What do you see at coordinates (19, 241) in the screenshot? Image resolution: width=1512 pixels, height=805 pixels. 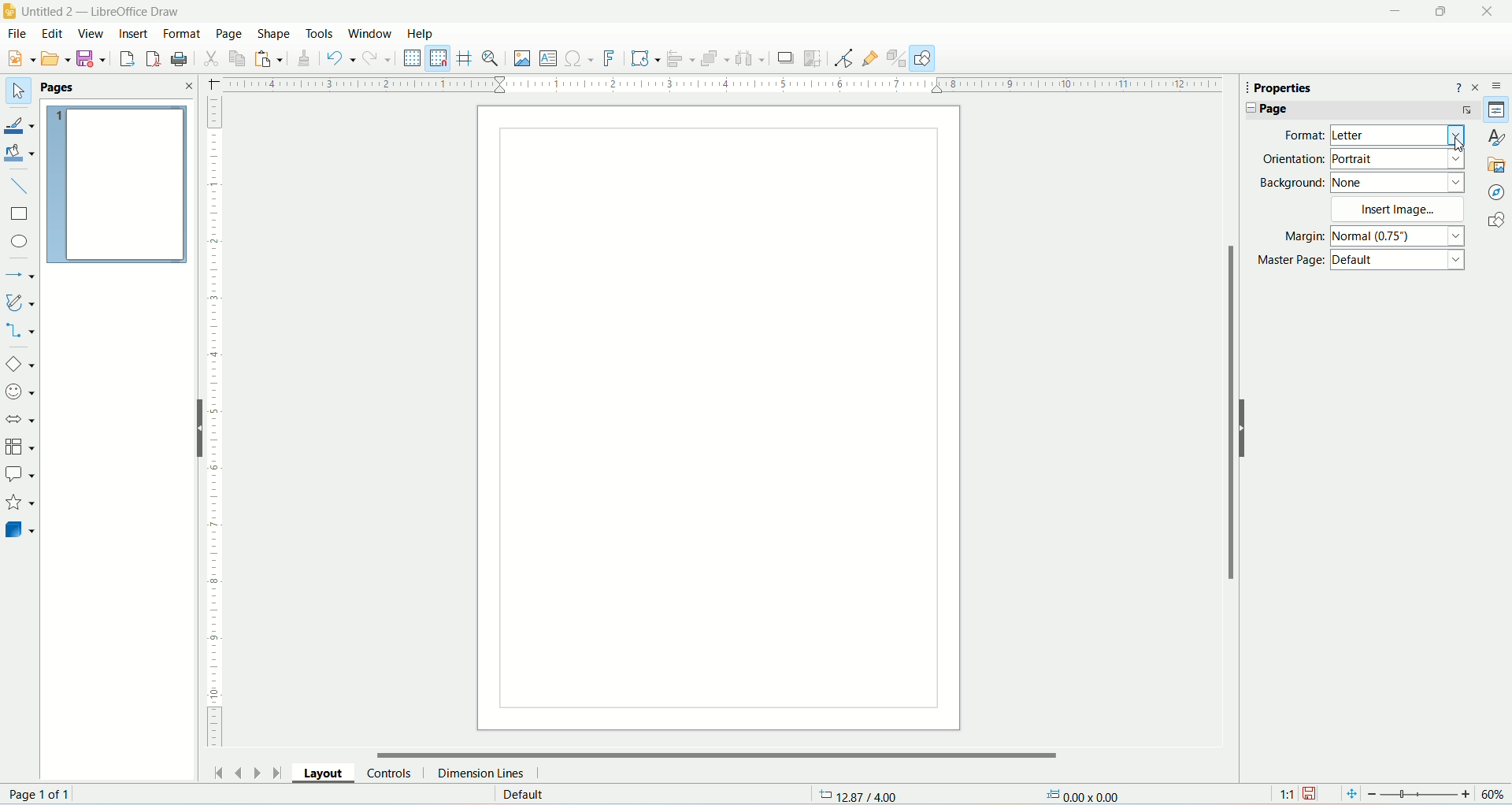 I see `ellipse` at bounding box center [19, 241].